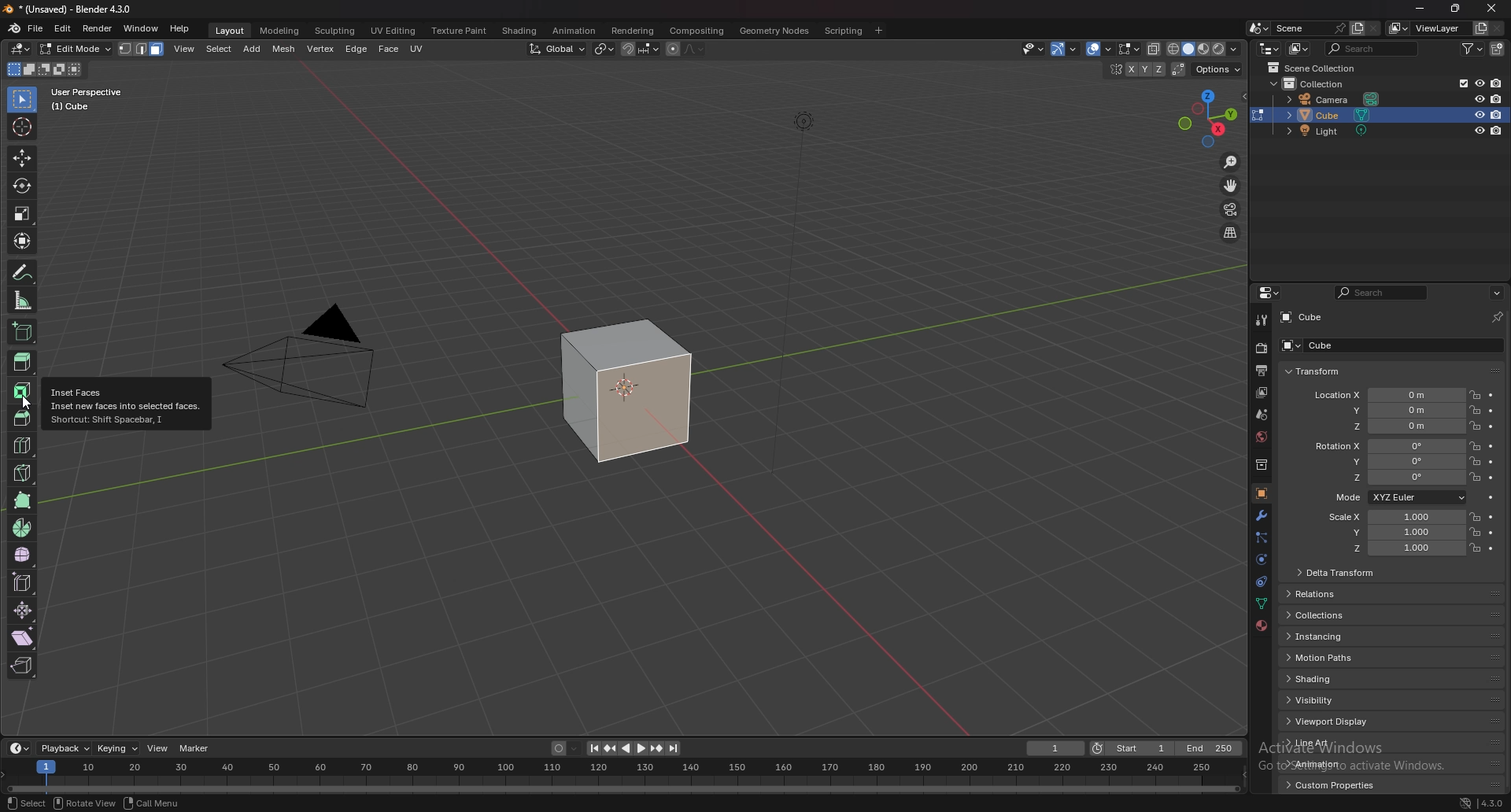 The width and height of the screenshot is (1511, 812). What do you see at coordinates (1475, 446) in the screenshot?
I see `lock` at bounding box center [1475, 446].